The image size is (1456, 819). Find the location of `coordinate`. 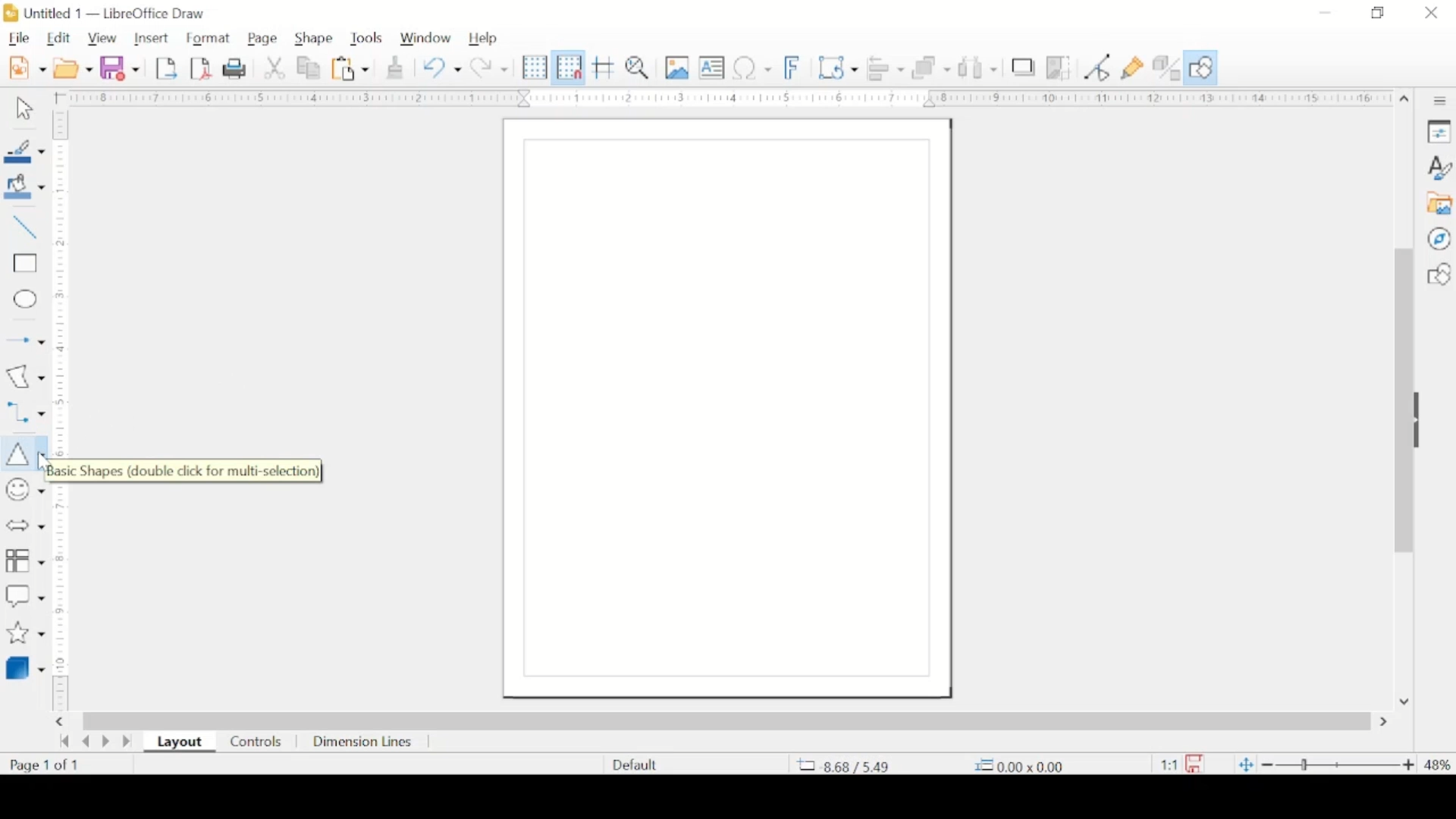

coordinate is located at coordinates (844, 766).